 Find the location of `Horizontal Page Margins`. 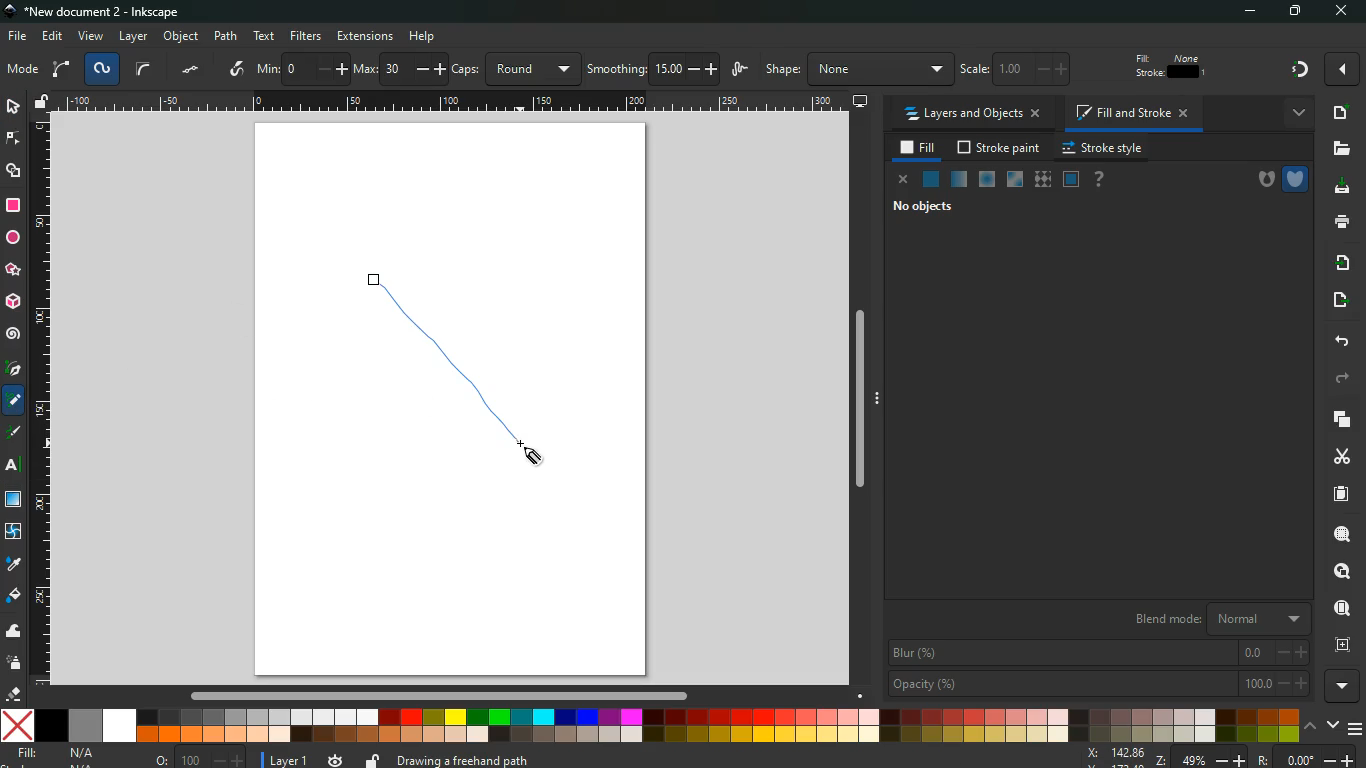

Horizontal Page Margins is located at coordinates (41, 402).